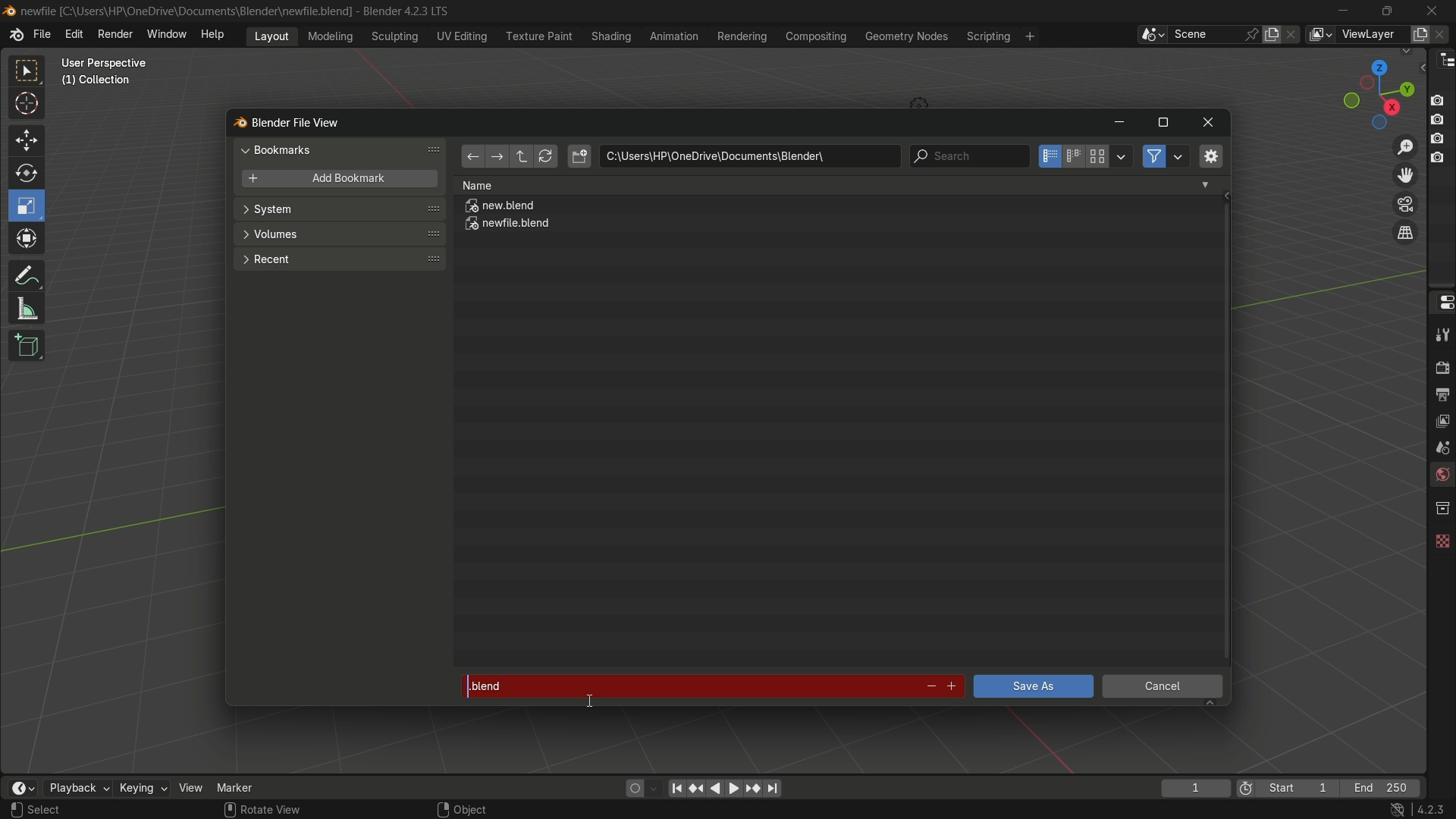 This screenshot has height=819, width=1456. What do you see at coordinates (9, 10) in the screenshot?
I see `Blend` at bounding box center [9, 10].